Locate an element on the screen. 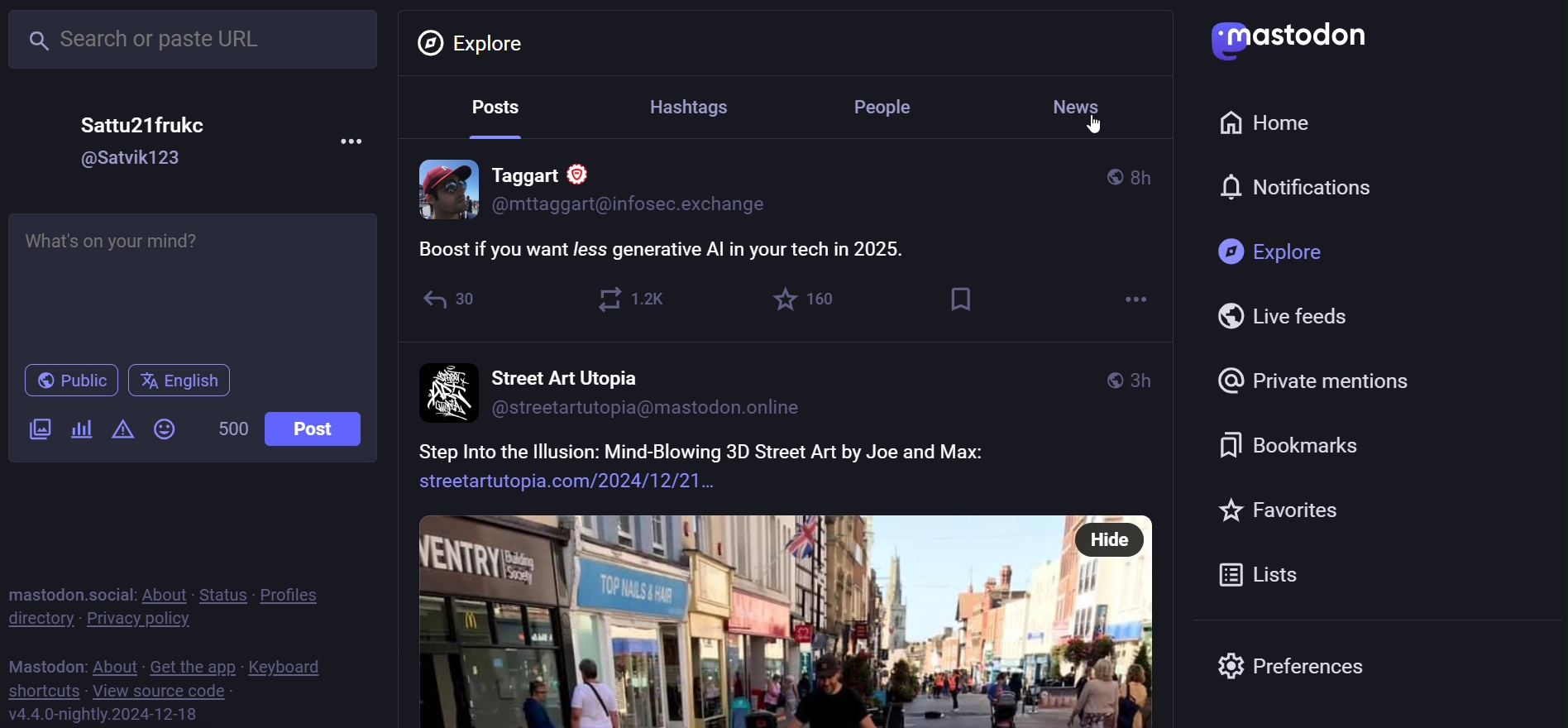 This screenshot has width=1568, height=728. about is located at coordinates (112, 665).